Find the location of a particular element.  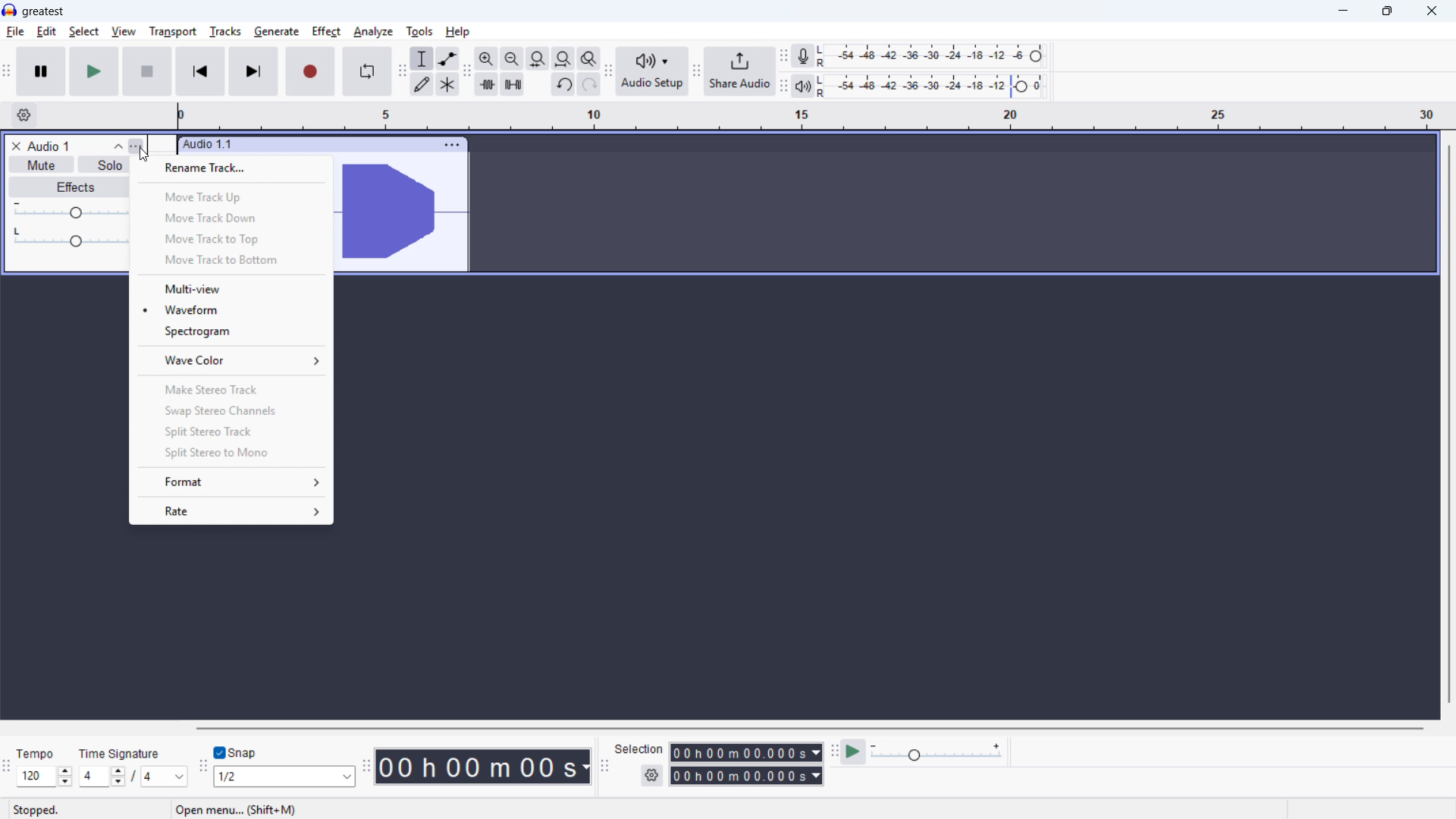

Transport  is located at coordinates (173, 31).